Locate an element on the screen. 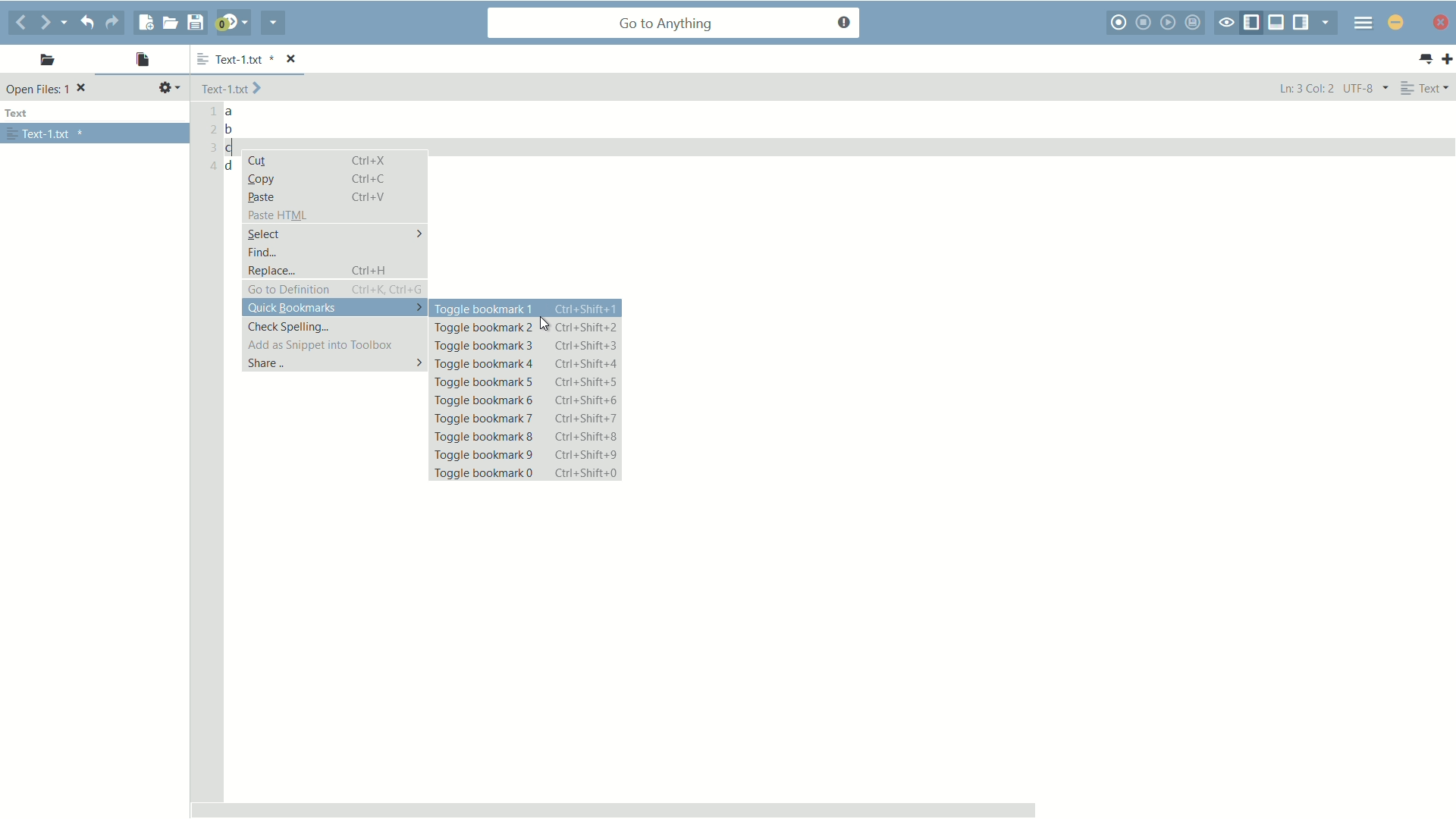 The image size is (1456, 819). share current file is located at coordinates (272, 24).